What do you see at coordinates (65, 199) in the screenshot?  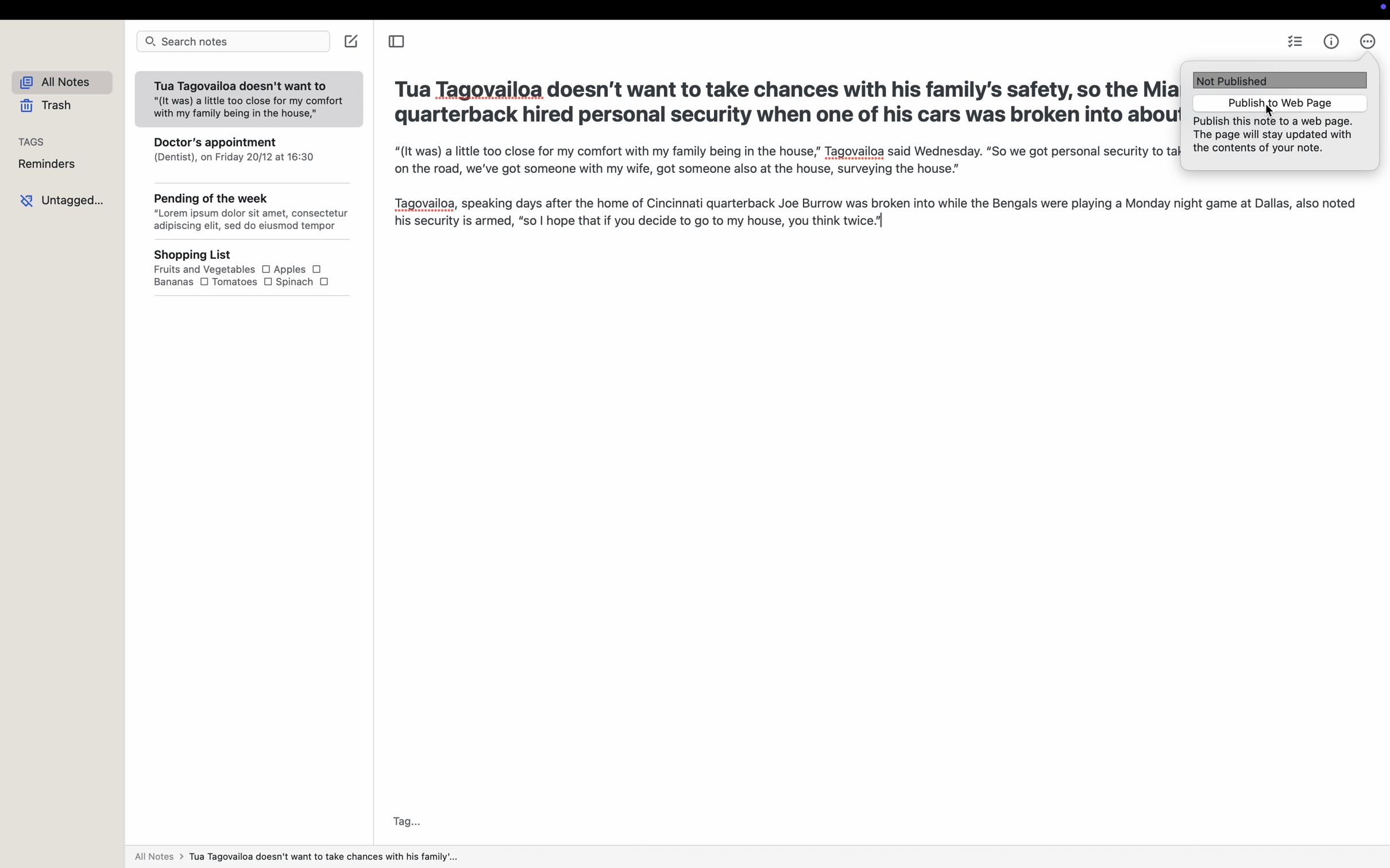 I see `untagged` at bounding box center [65, 199].